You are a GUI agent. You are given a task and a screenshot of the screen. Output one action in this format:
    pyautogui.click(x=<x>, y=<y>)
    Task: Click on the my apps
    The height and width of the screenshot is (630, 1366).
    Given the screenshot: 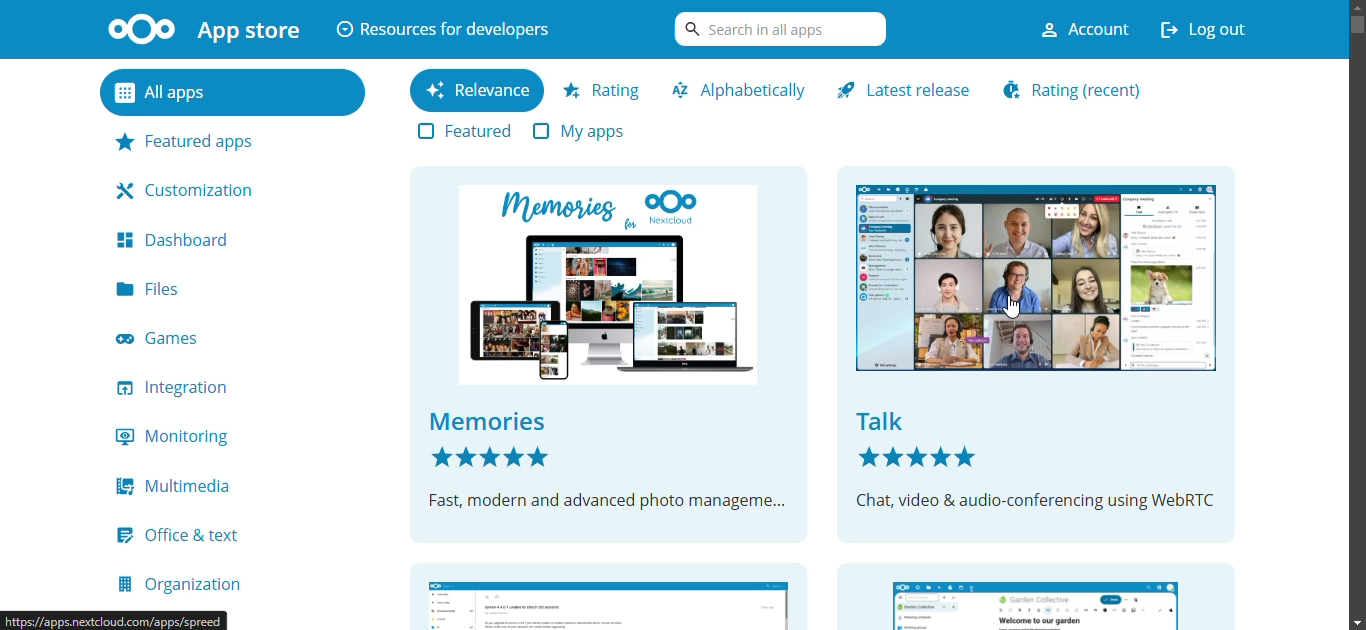 What is the action you would take?
    pyautogui.click(x=586, y=131)
    